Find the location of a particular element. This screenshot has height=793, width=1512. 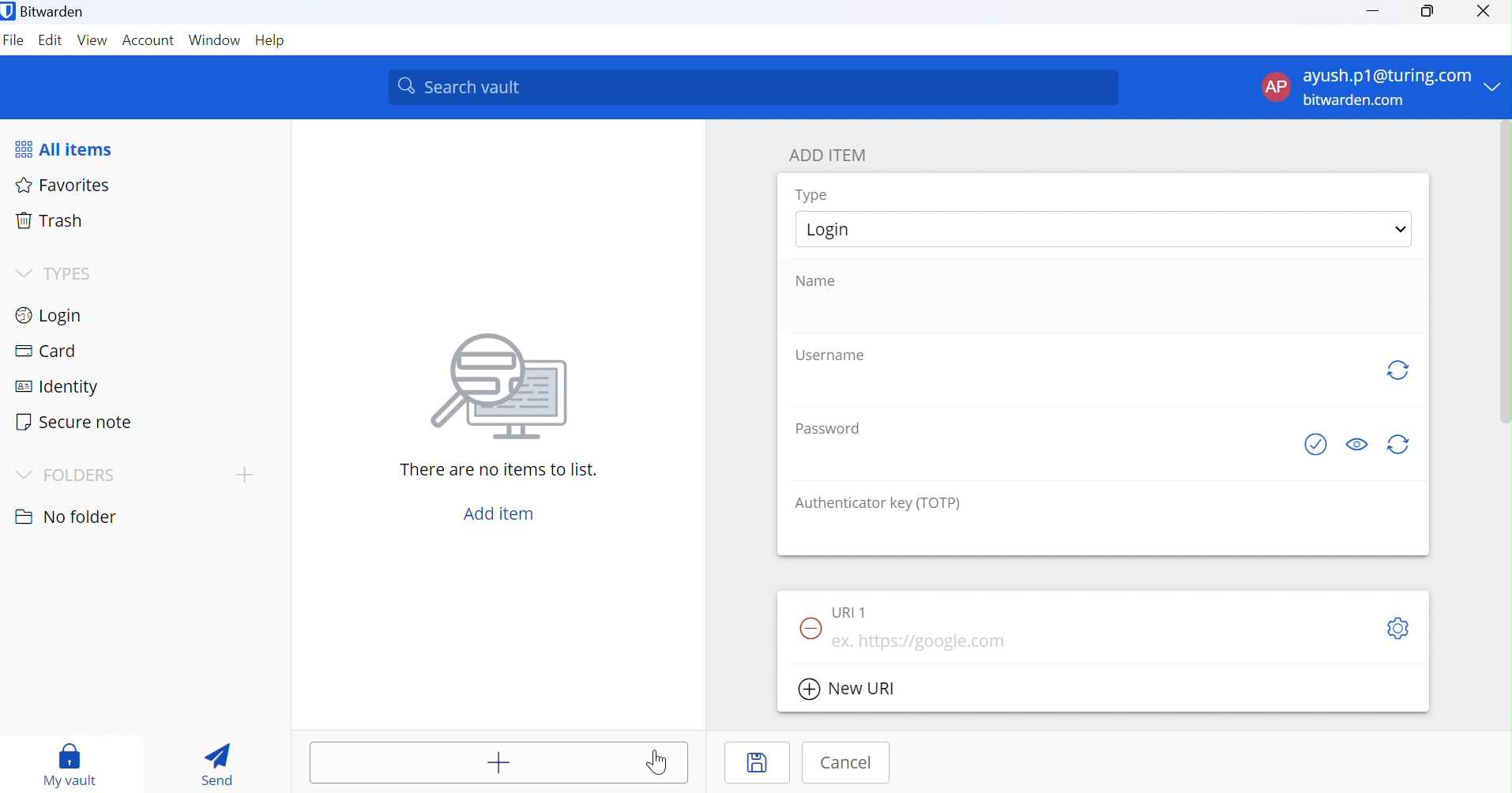

Toggle visibility is located at coordinates (1356, 443).